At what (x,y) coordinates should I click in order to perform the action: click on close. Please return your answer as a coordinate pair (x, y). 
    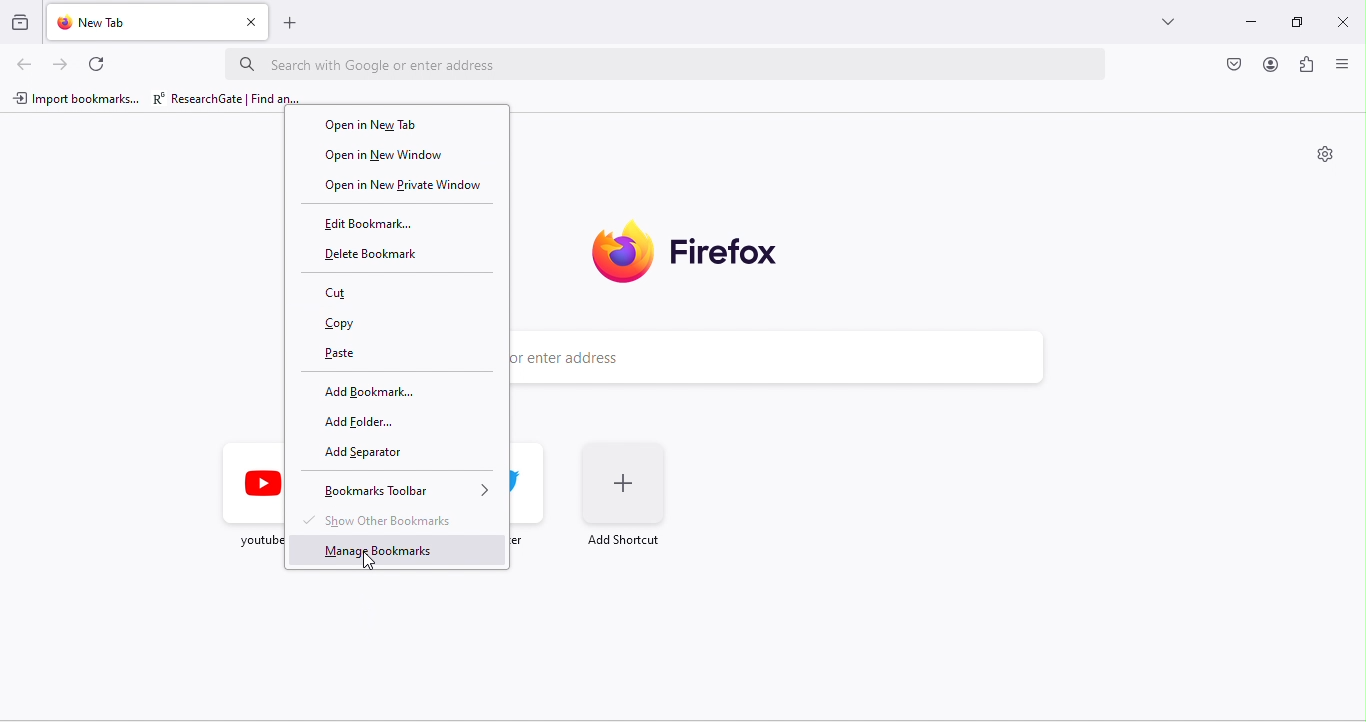
    Looking at the image, I should click on (251, 22).